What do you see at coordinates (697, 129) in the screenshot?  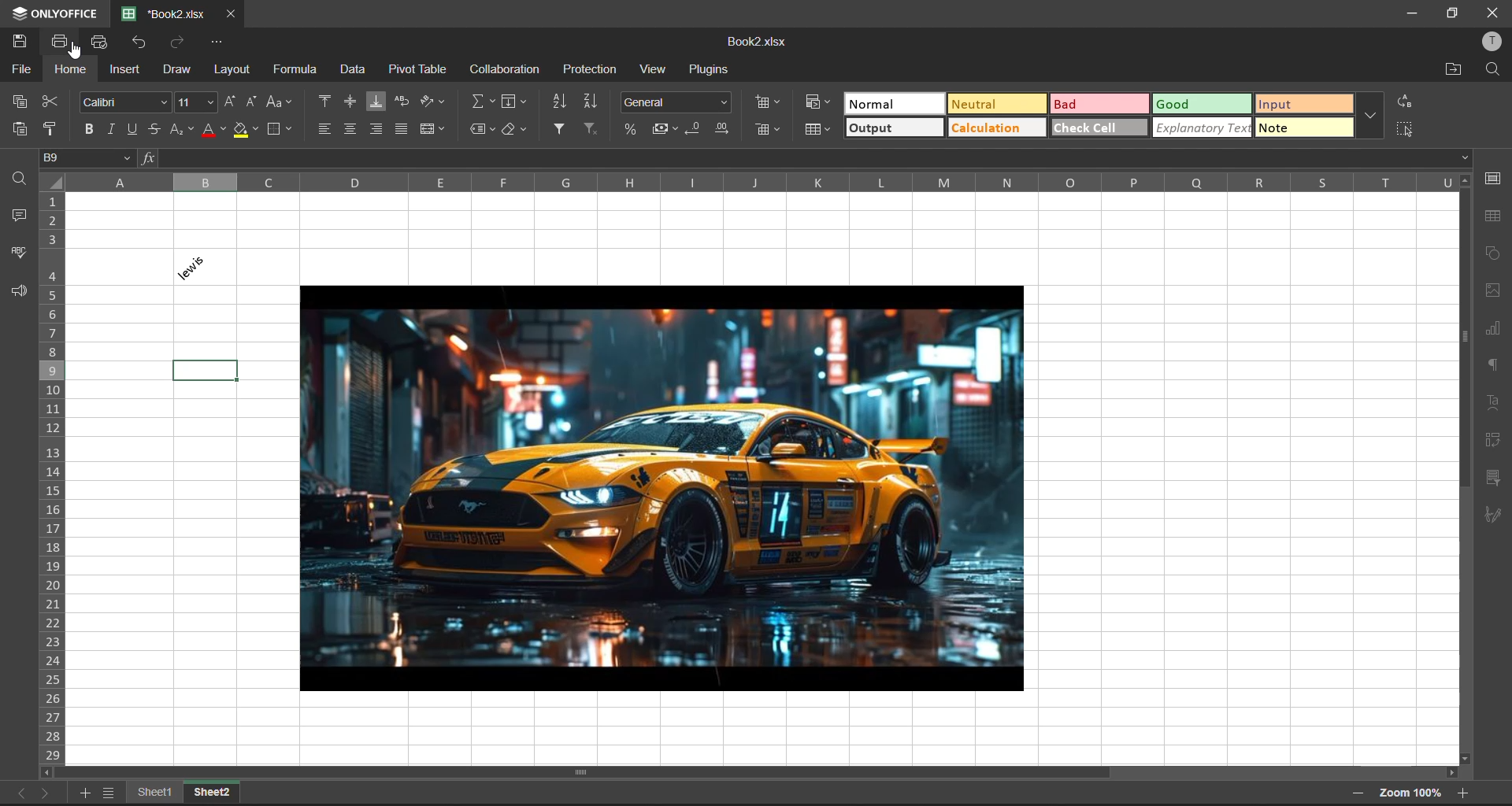 I see `decrease decimal` at bounding box center [697, 129].